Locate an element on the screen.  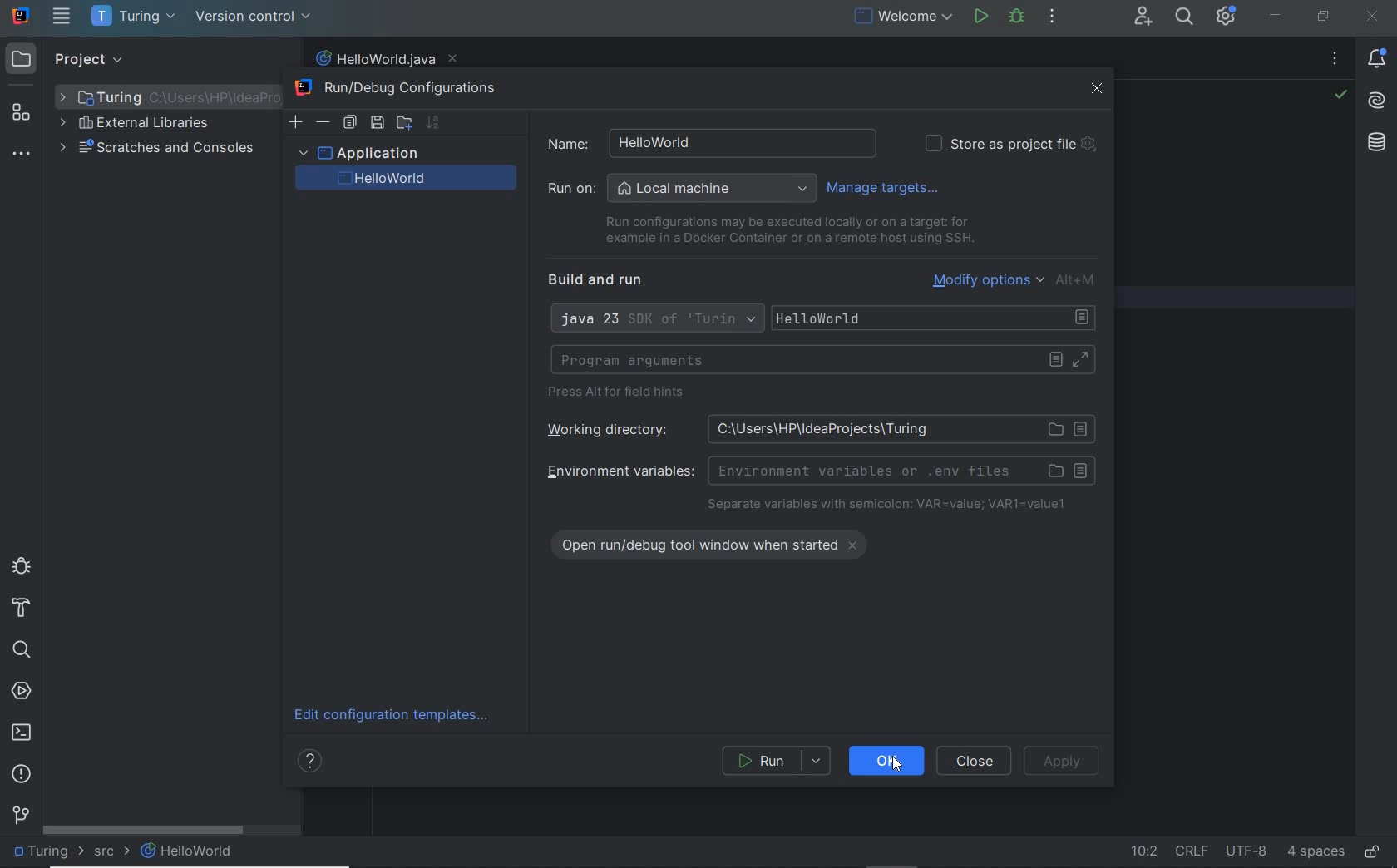
more actions is located at coordinates (1052, 17).